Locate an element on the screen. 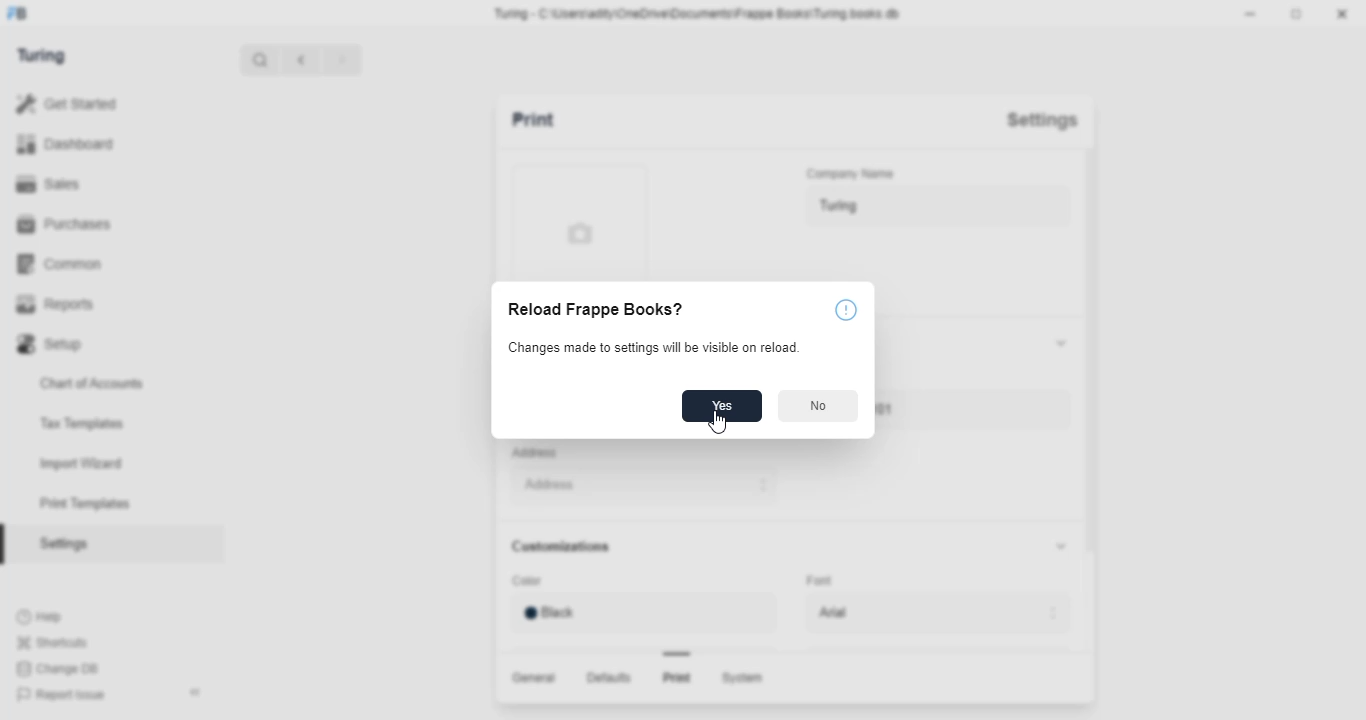 The image size is (1366, 720). forward is located at coordinates (343, 59).